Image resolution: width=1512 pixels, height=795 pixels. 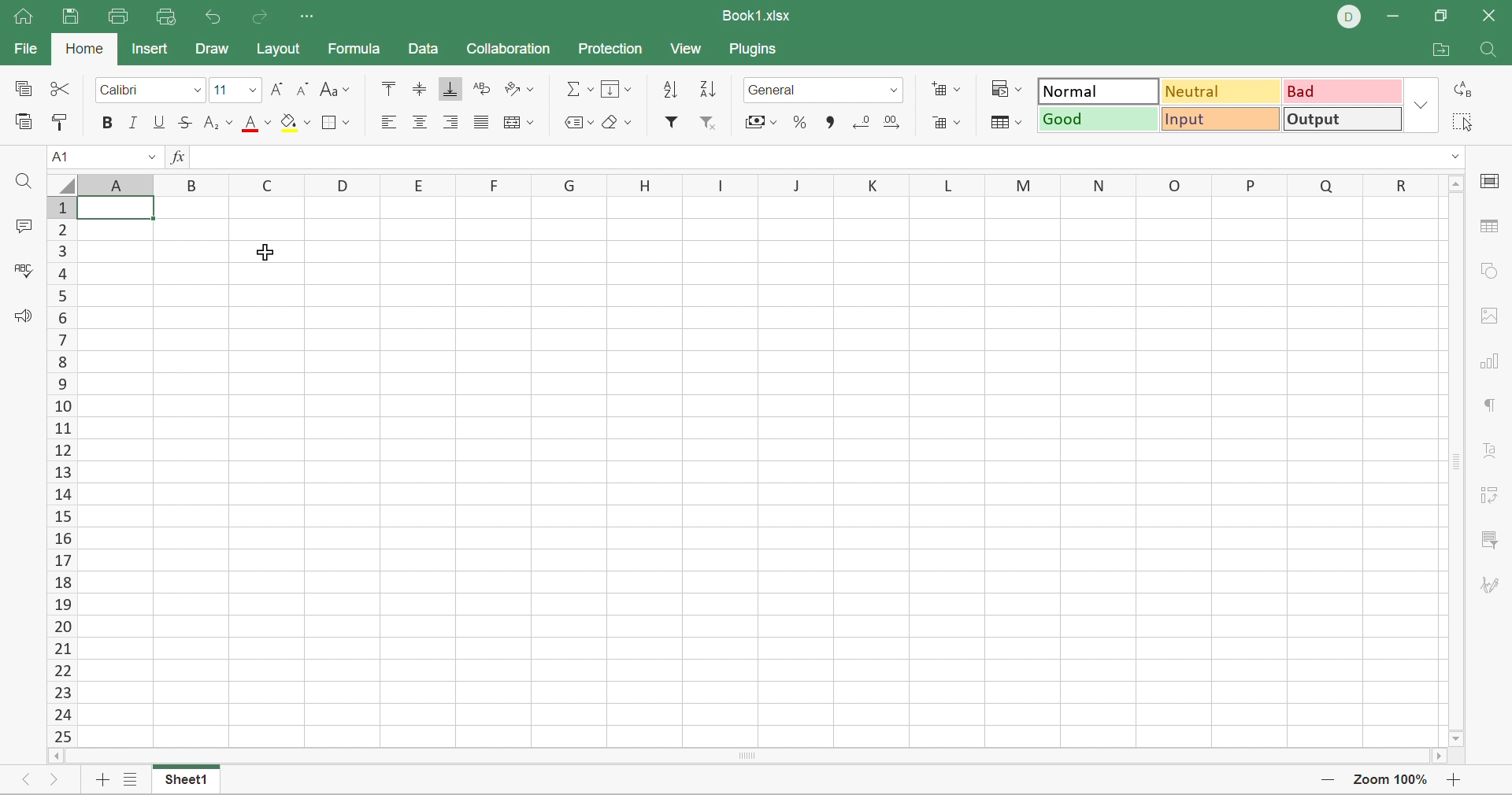 What do you see at coordinates (1458, 90) in the screenshot?
I see `Replace` at bounding box center [1458, 90].